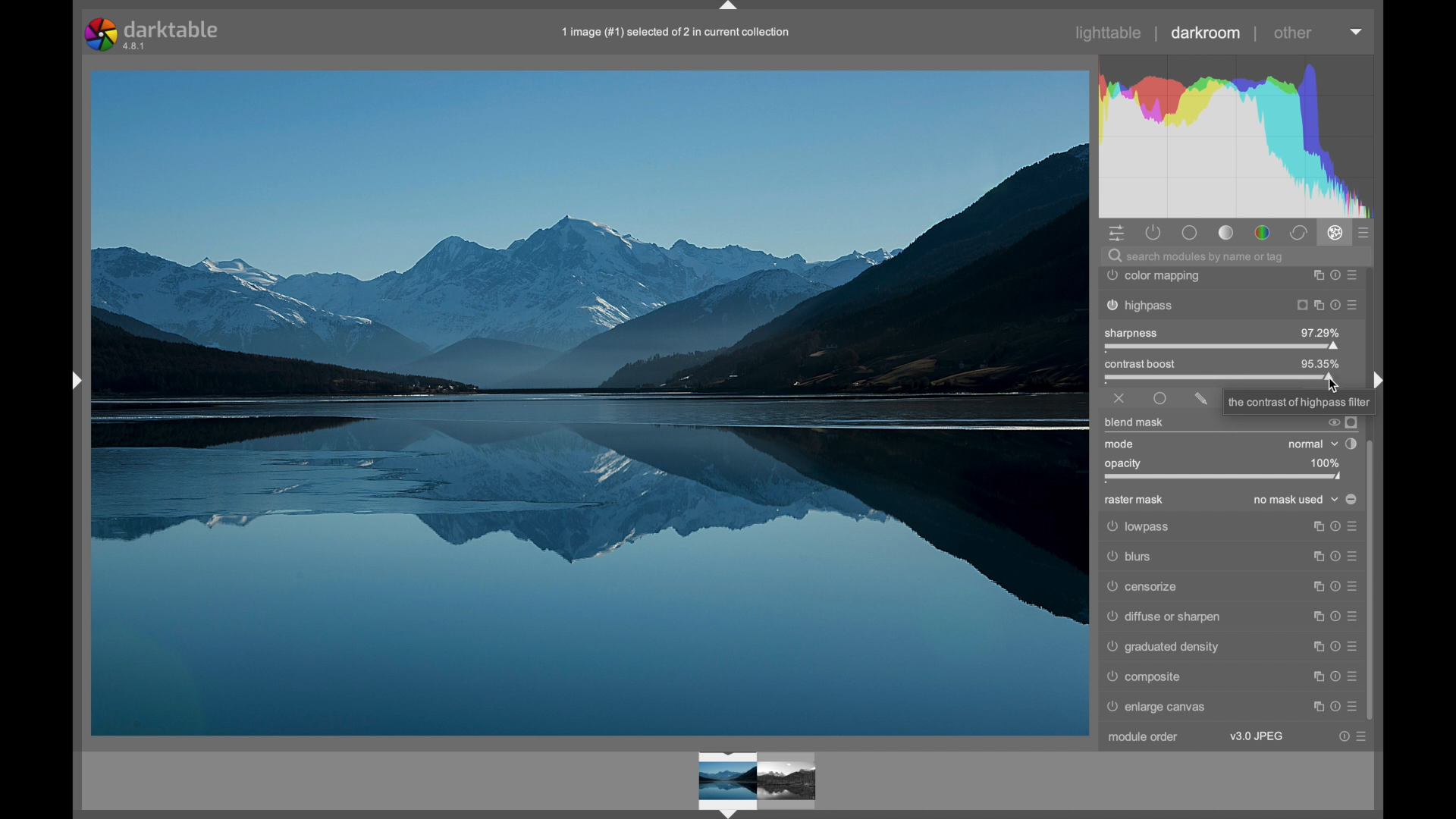 The image size is (1456, 819). What do you see at coordinates (1228, 558) in the screenshot?
I see `` at bounding box center [1228, 558].